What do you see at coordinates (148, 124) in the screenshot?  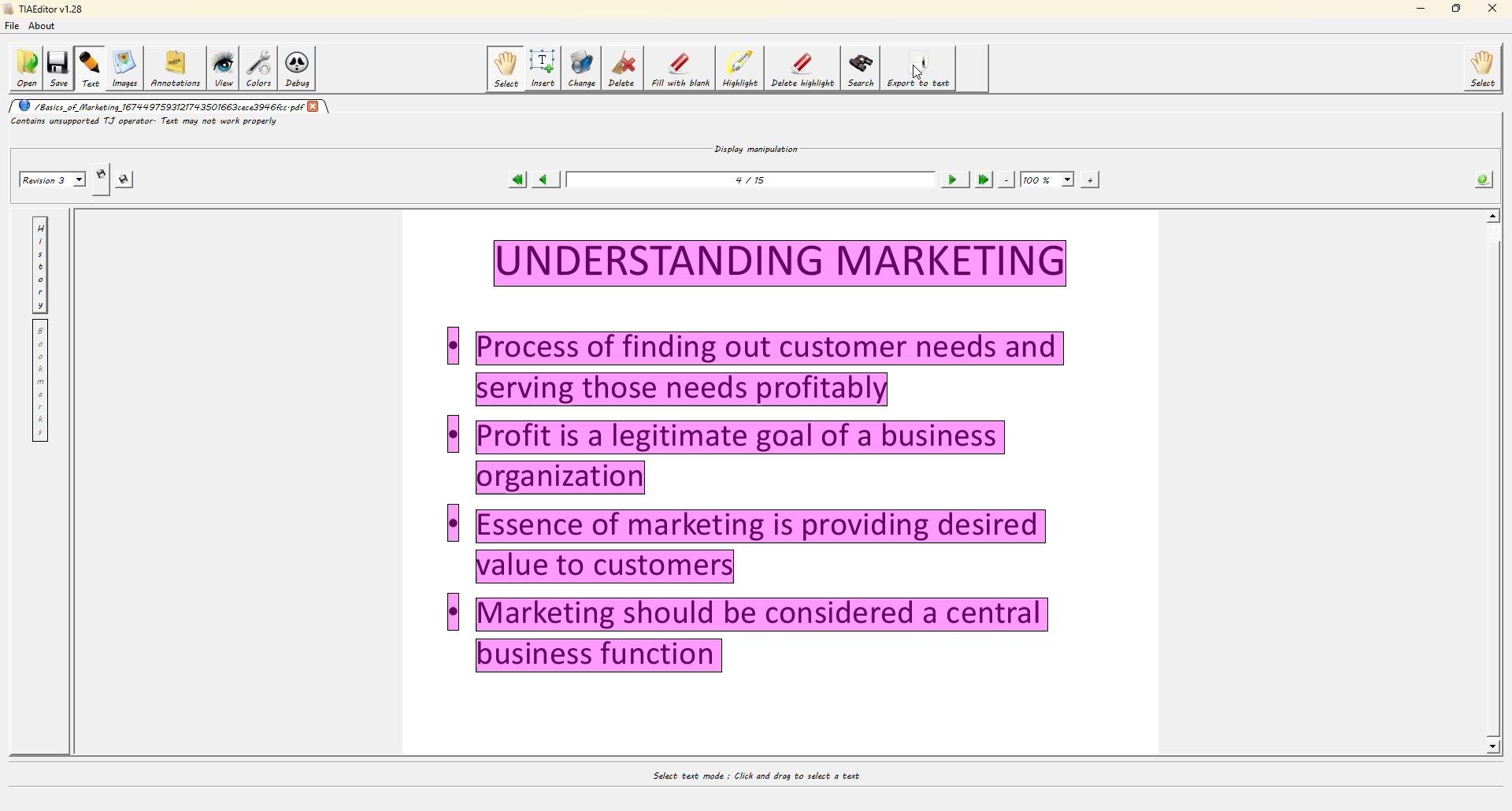 I see `error message` at bounding box center [148, 124].